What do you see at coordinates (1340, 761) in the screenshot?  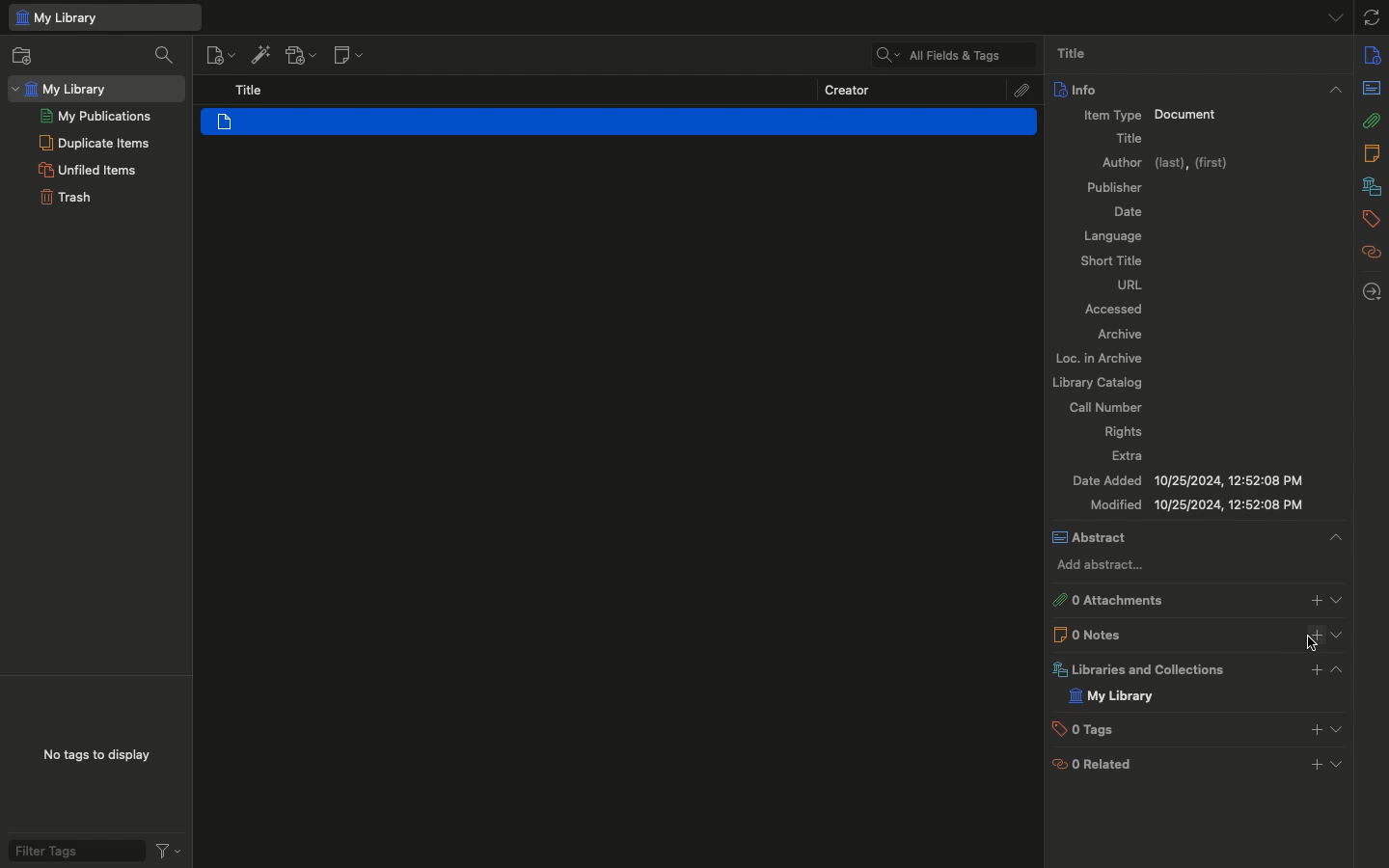 I see `Show` at bounding box center [1340, 761].